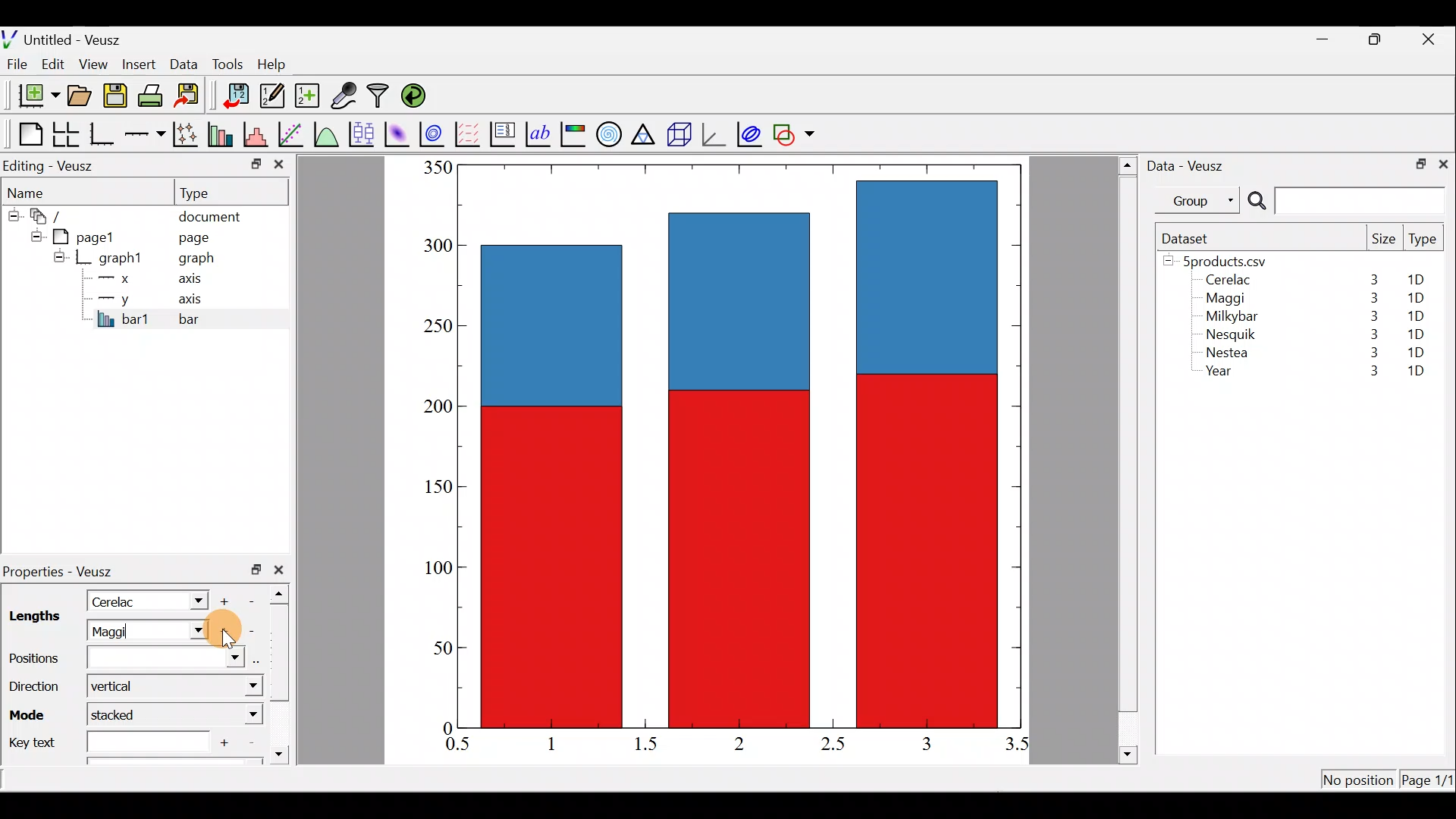  I want to click on Cursor, so click(224, 630).